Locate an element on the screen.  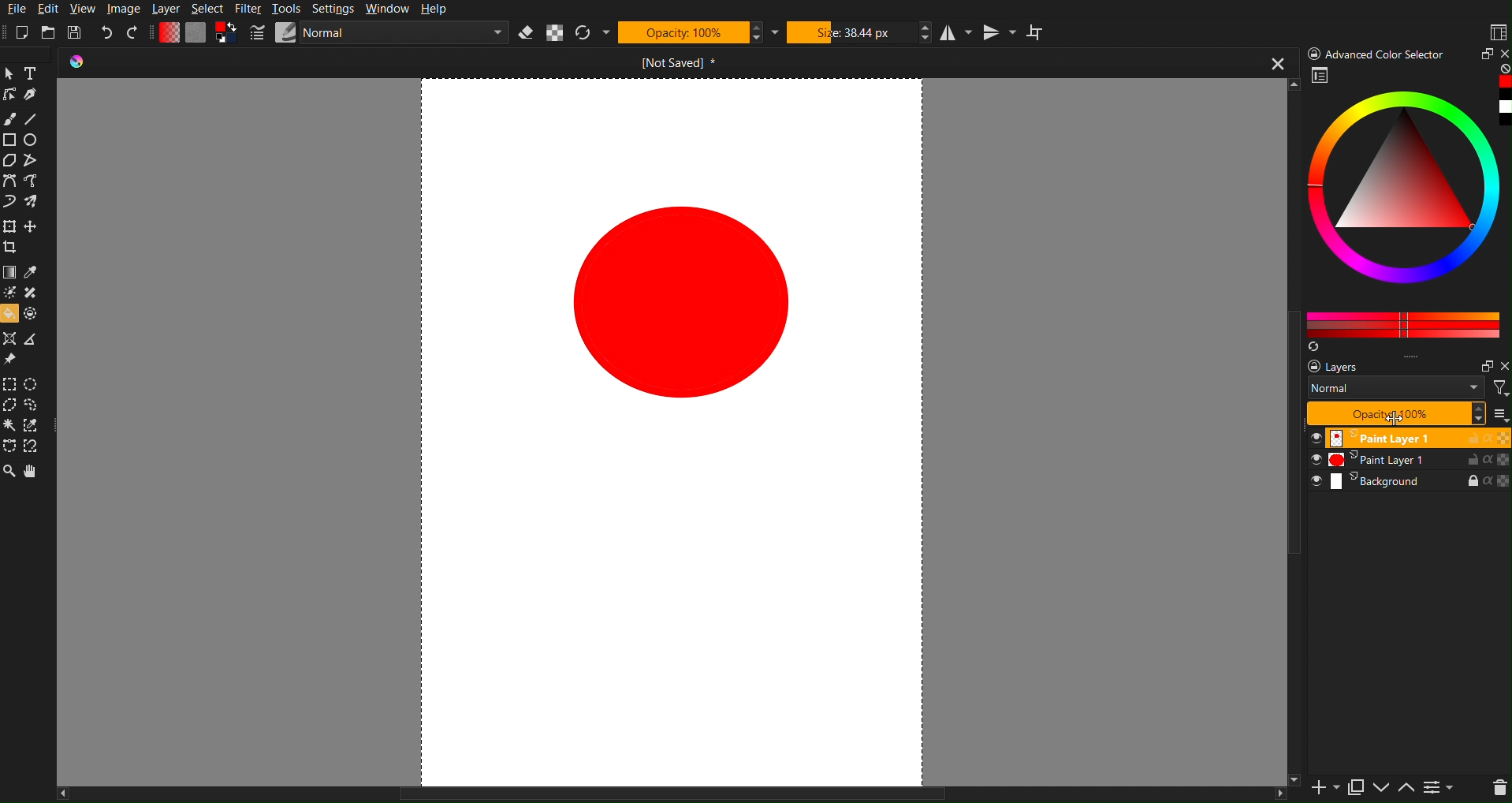
Normal is located at coordinates (390, 33).